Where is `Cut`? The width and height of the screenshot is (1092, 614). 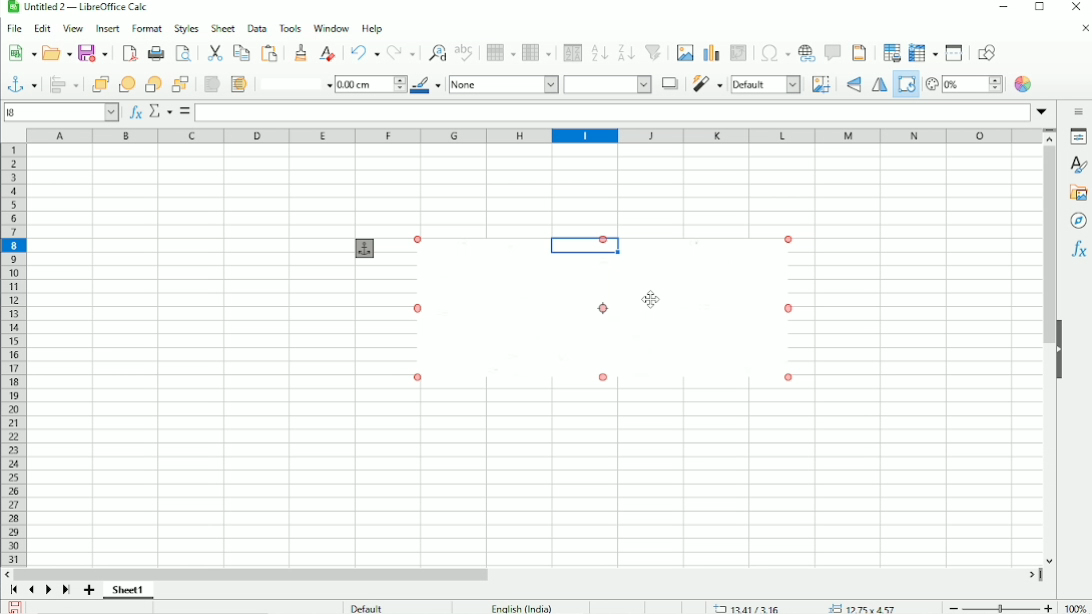
Cut is located at coordinates (215, 53).